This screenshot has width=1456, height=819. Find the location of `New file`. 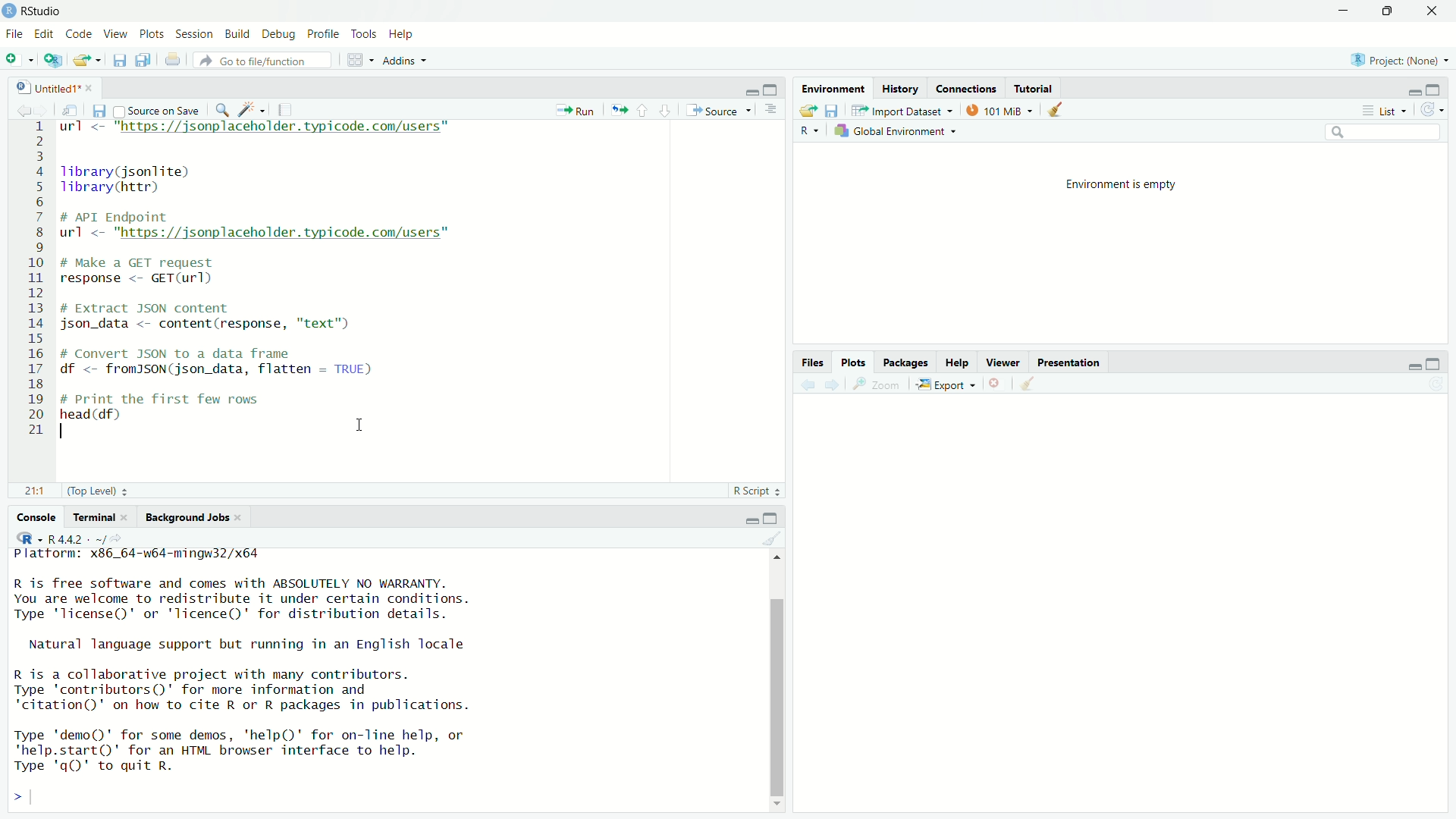

New file is located at coordinates (20, 59).